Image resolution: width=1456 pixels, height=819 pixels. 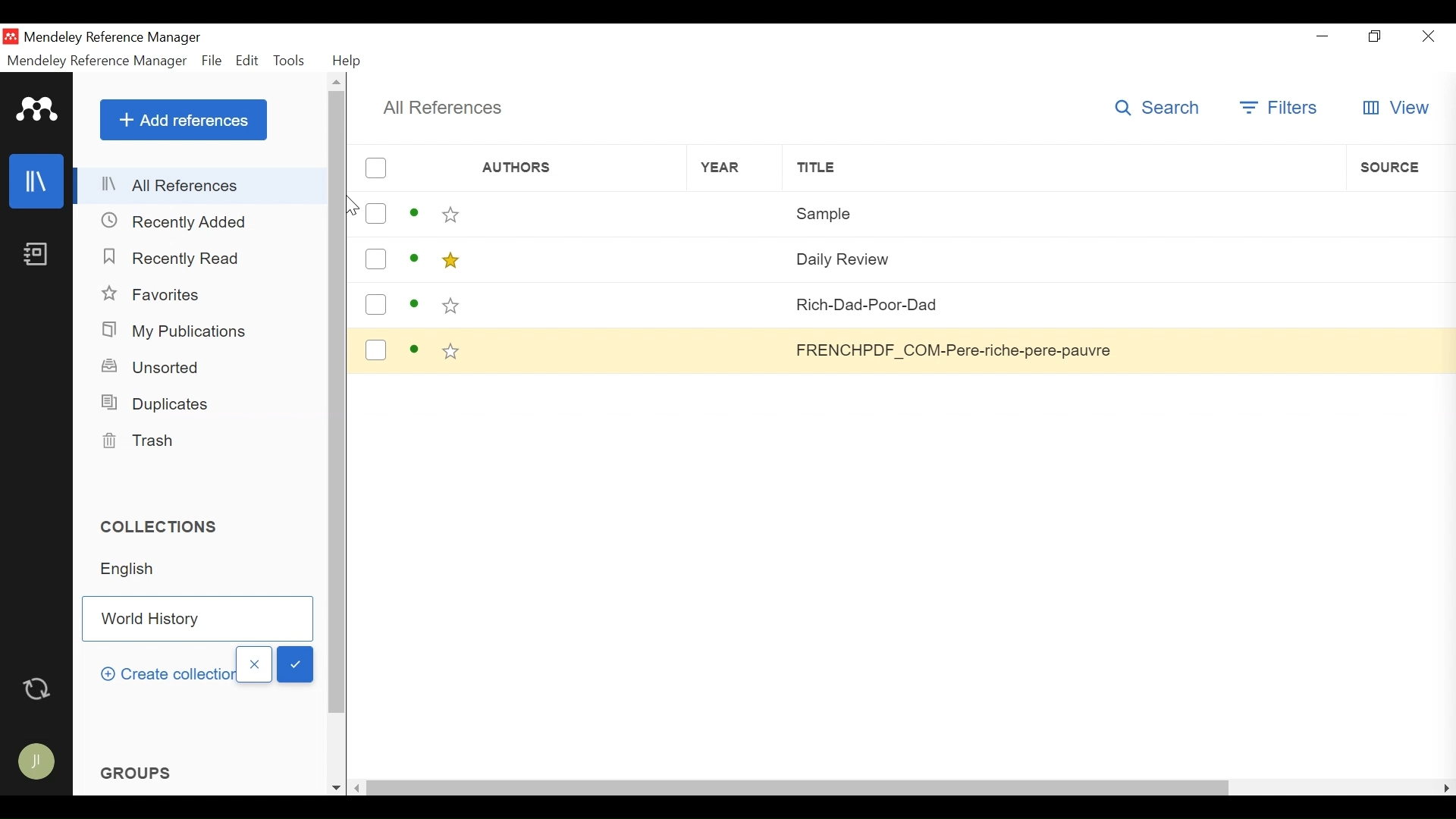 What do you see at coordinates (554, 169) in the screenshot?
I see `Authors` at bounding box center [554, 169].